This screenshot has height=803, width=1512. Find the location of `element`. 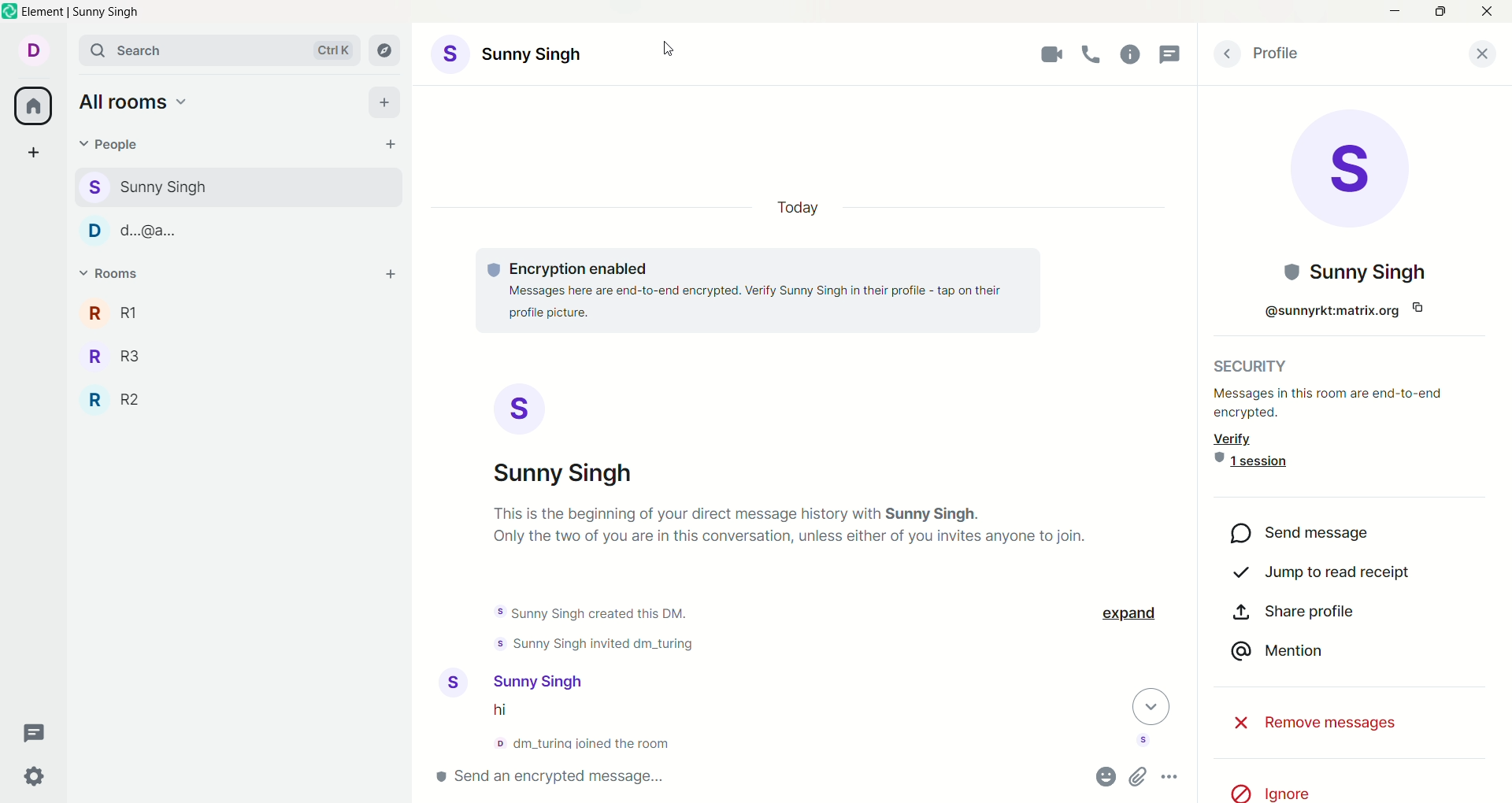

element is located at coordinates (84, 13).